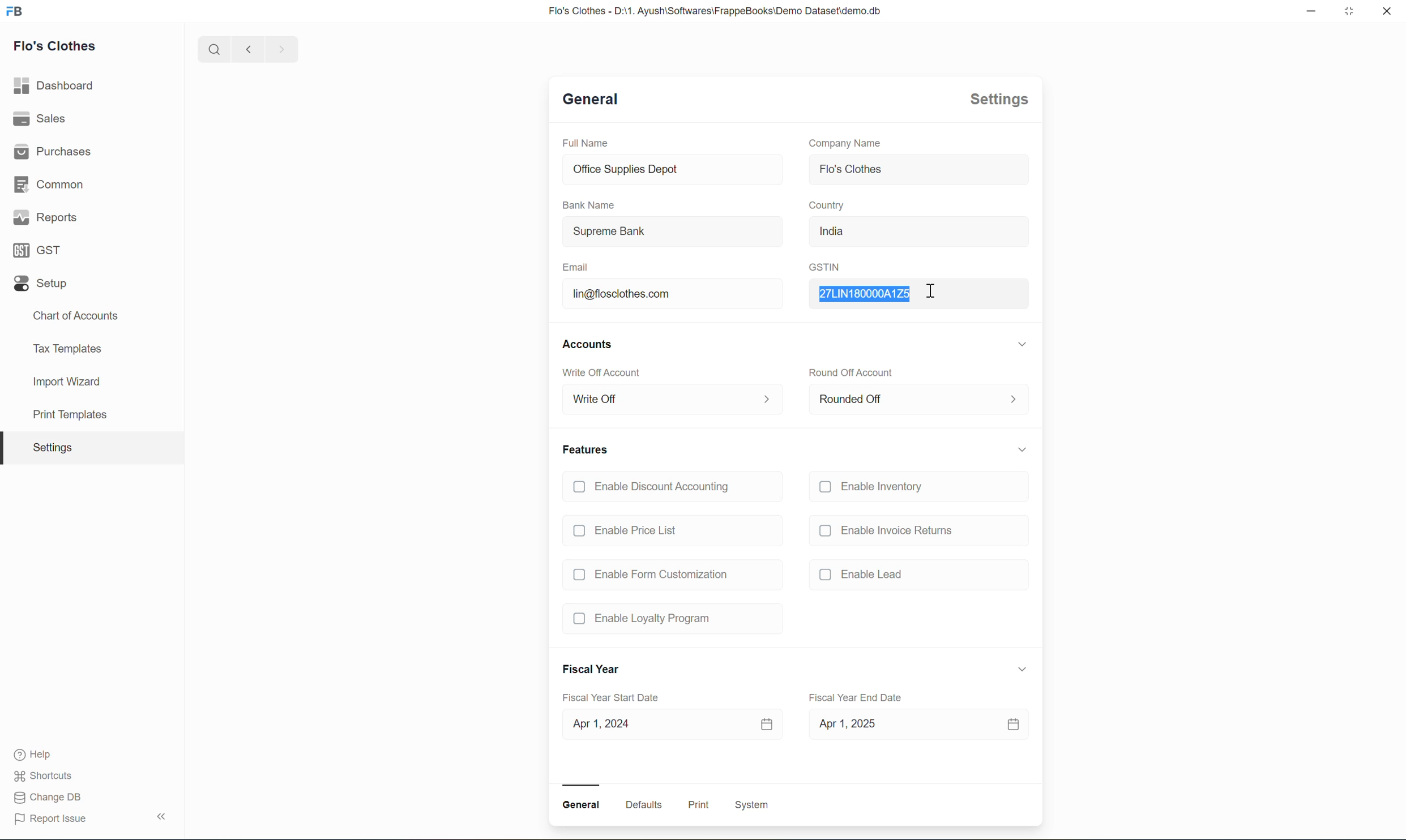 The height and width of the screenshot is (840, 1406). I want to click on Enable Discount Accounting, so click(654, 488).